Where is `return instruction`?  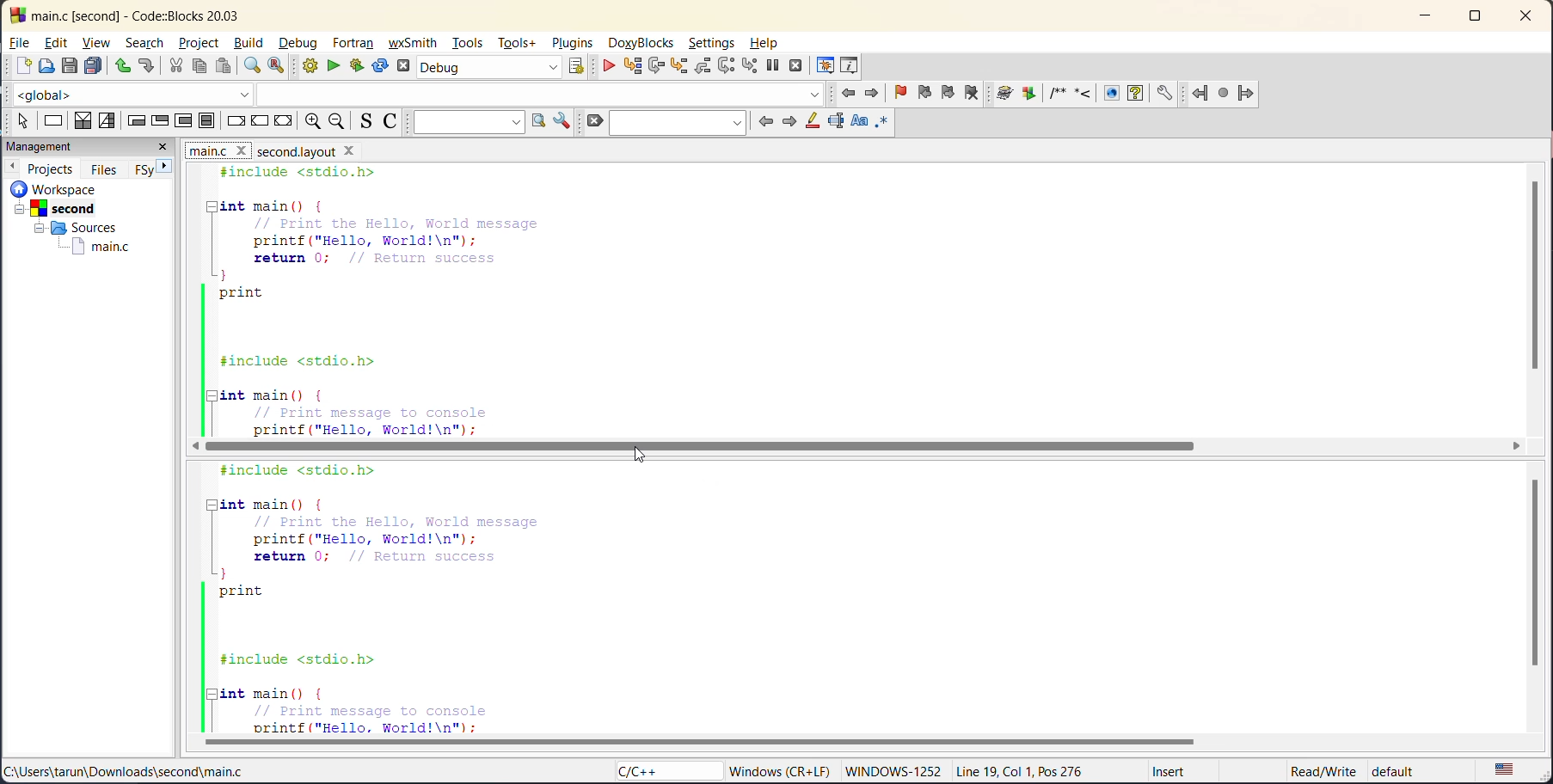
return instruction is located at coordinates (284, 121).